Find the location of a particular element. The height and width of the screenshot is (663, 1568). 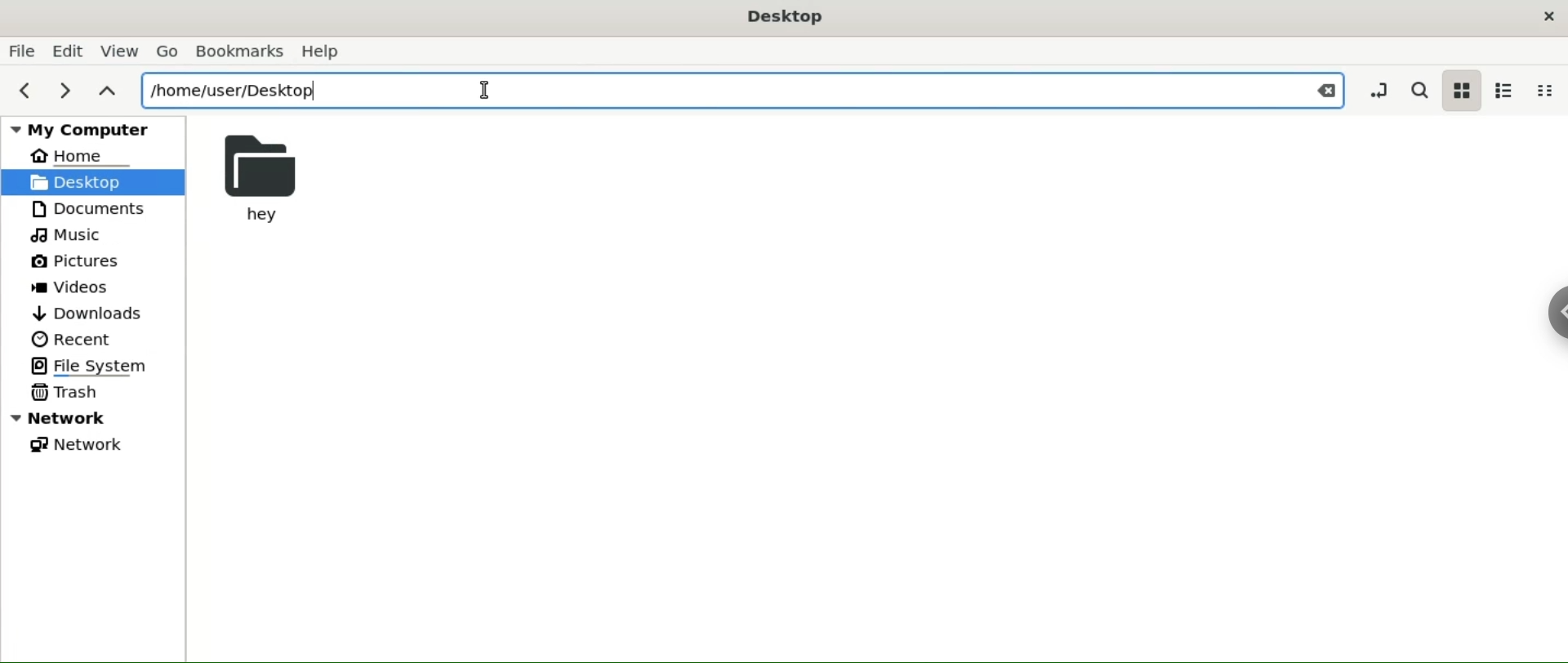

bookmarks is located at coordinates (240, 51).